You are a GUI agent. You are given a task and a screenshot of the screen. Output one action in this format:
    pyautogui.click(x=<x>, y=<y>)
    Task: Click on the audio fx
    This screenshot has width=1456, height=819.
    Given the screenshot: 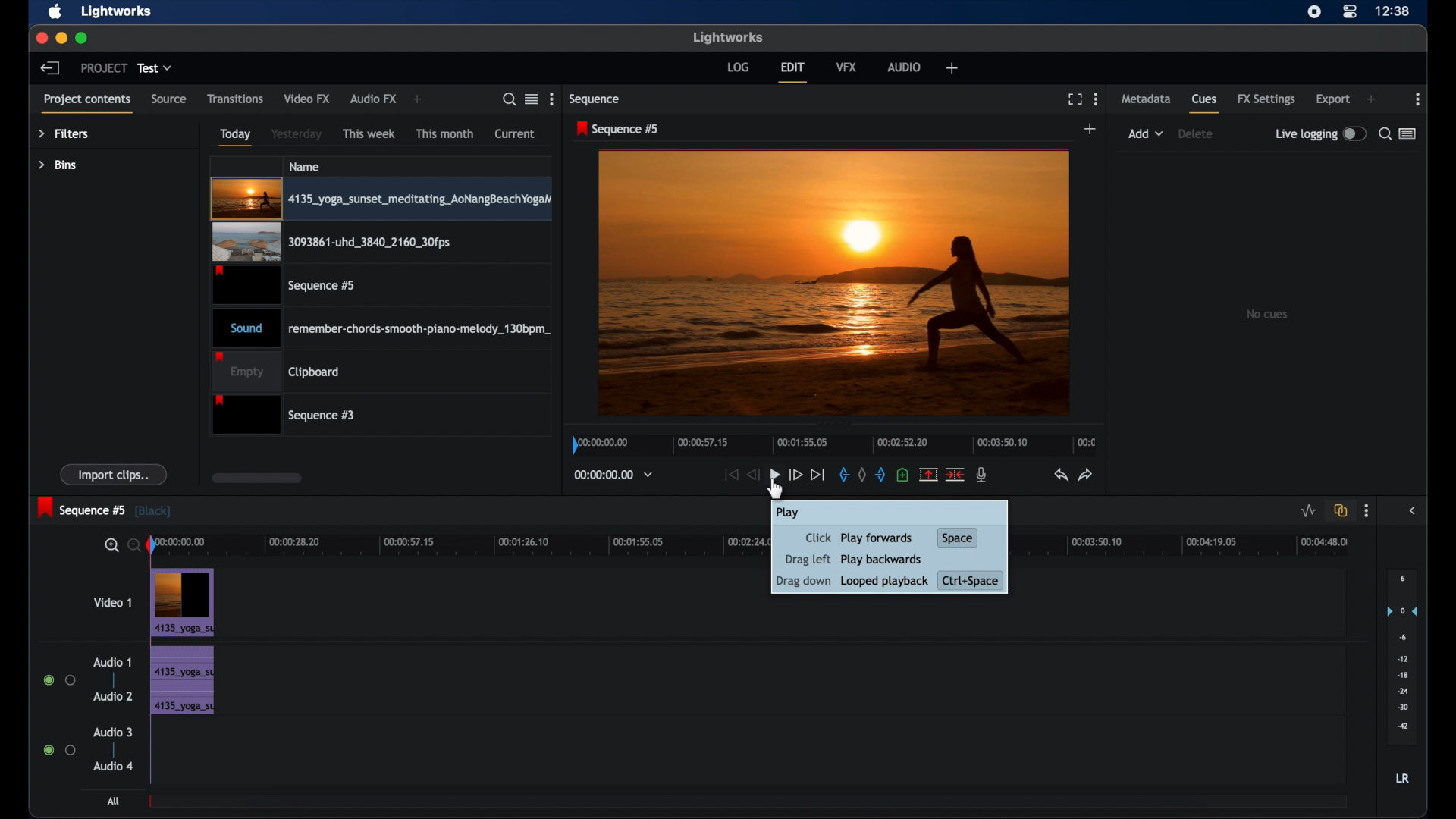 What is the action you would take?
    pyautogui.click(x=374, y=99)
    